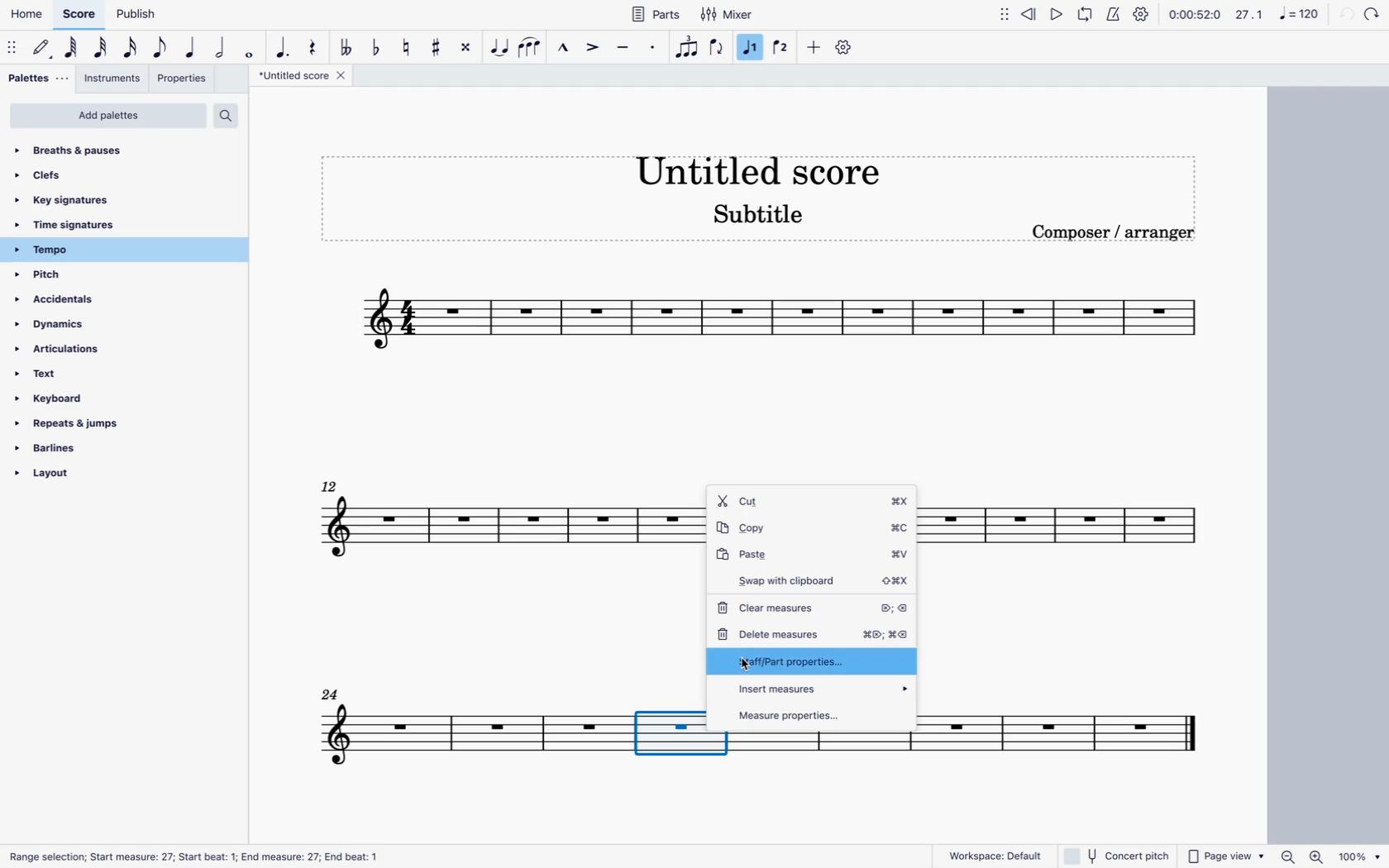  What do you see at coordinates (746, 662) in the screenshot?
I see `cursor Part properties` at bounding box center [746, 662].